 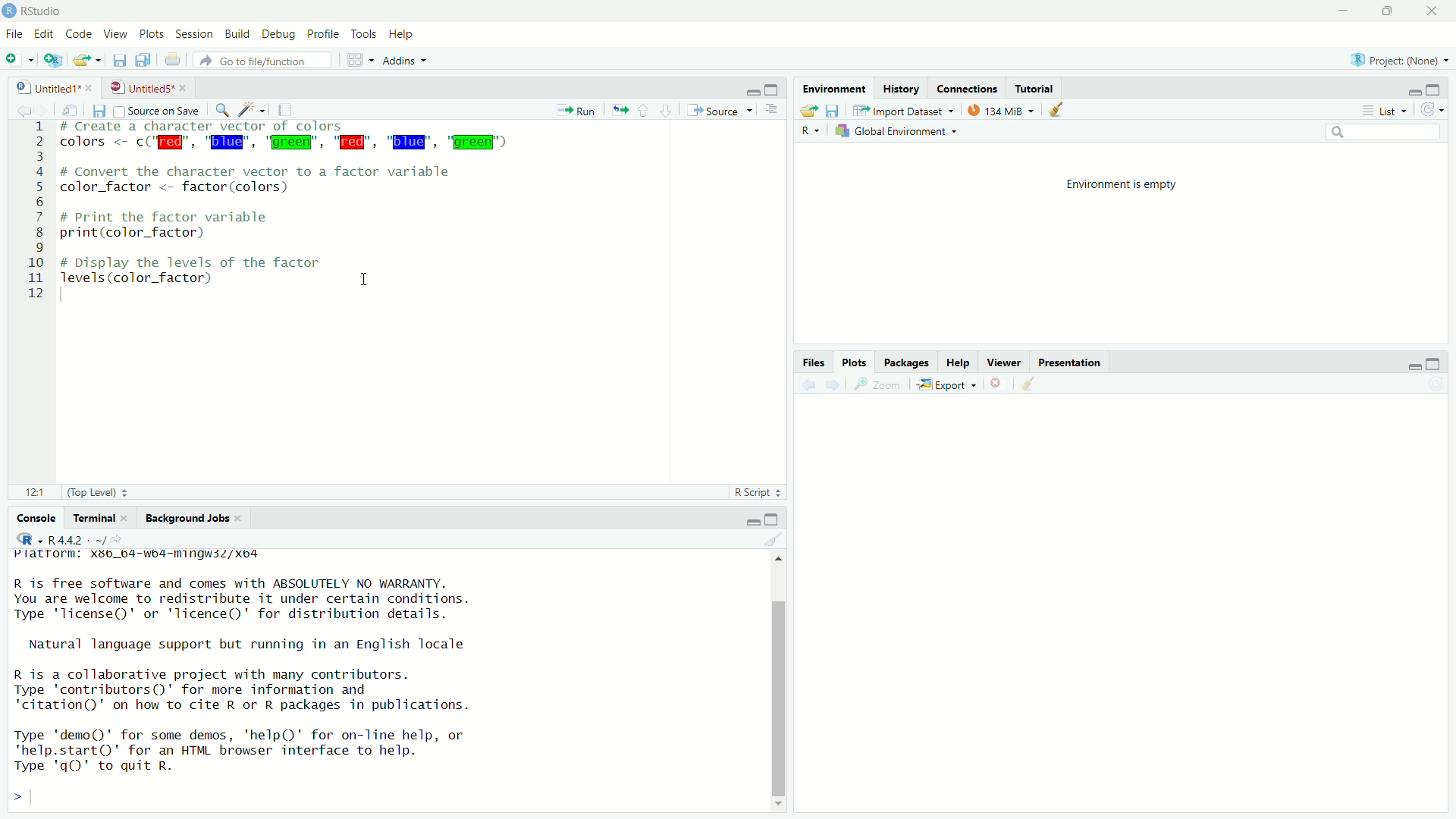 I want to click on go to next section/chunk, so click(x=667, y=111).